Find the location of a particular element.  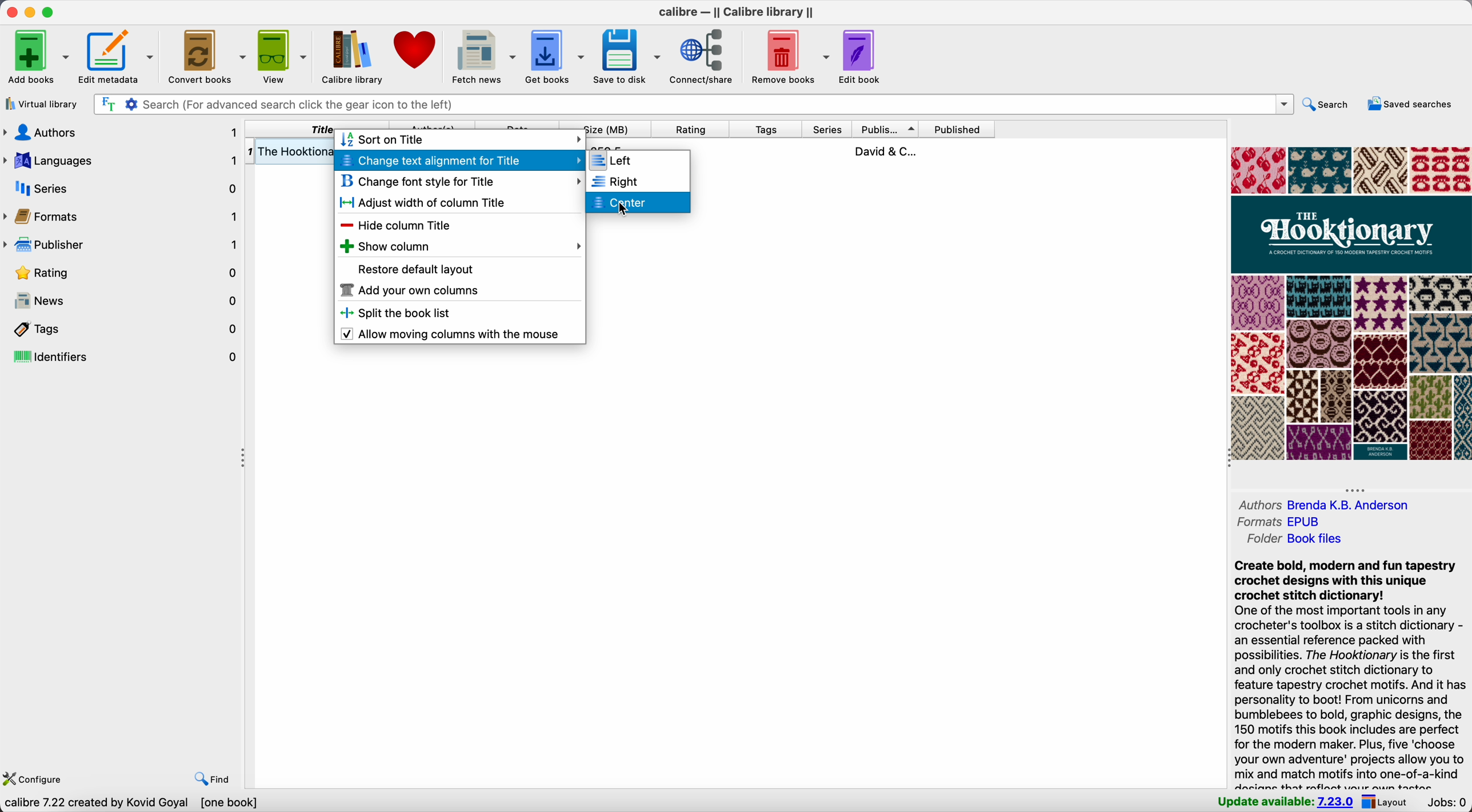

right is located at coordinates (638, 182).